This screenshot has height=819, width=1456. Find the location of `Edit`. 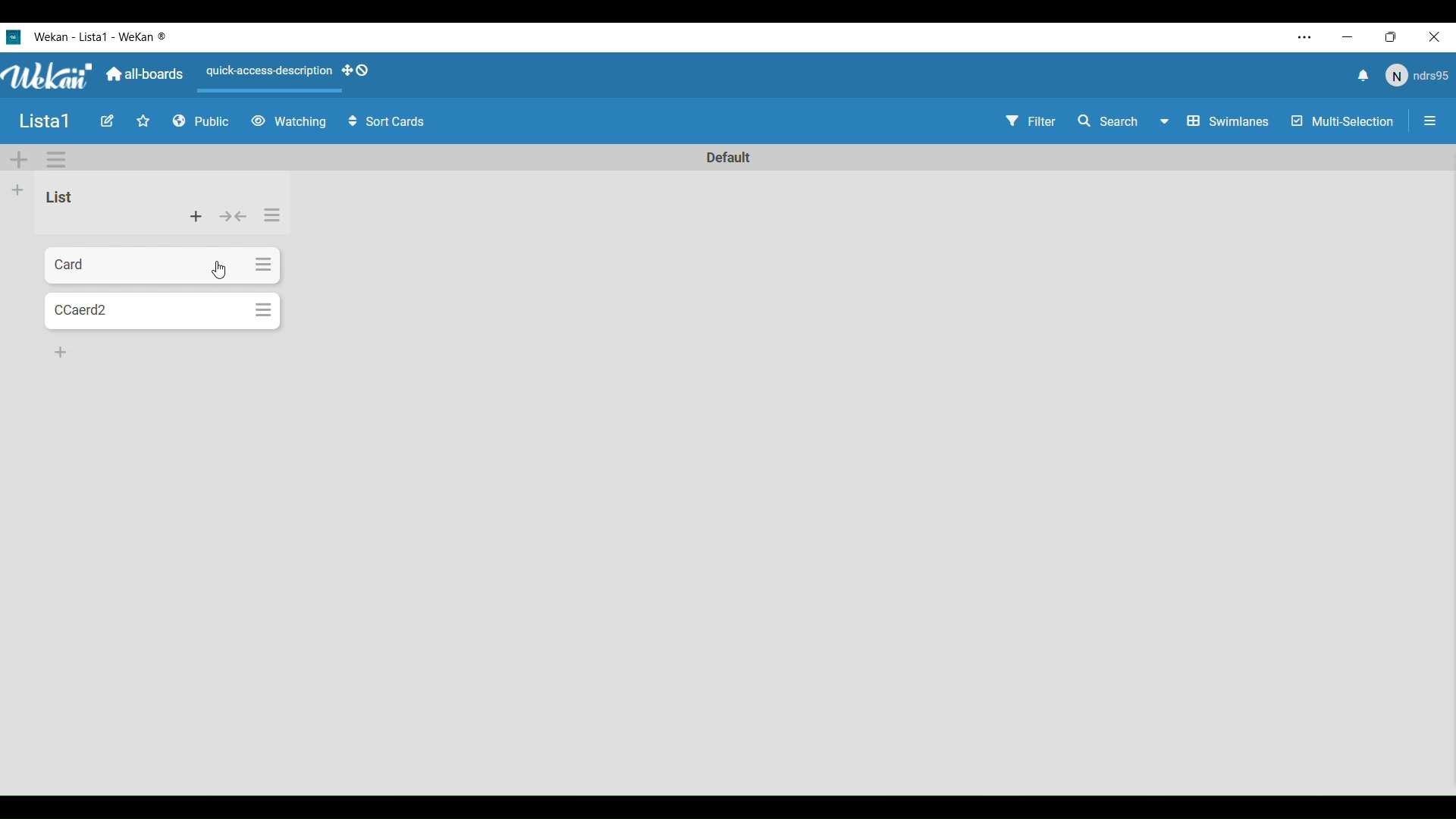

Edit is located at coordinates (107, 121).